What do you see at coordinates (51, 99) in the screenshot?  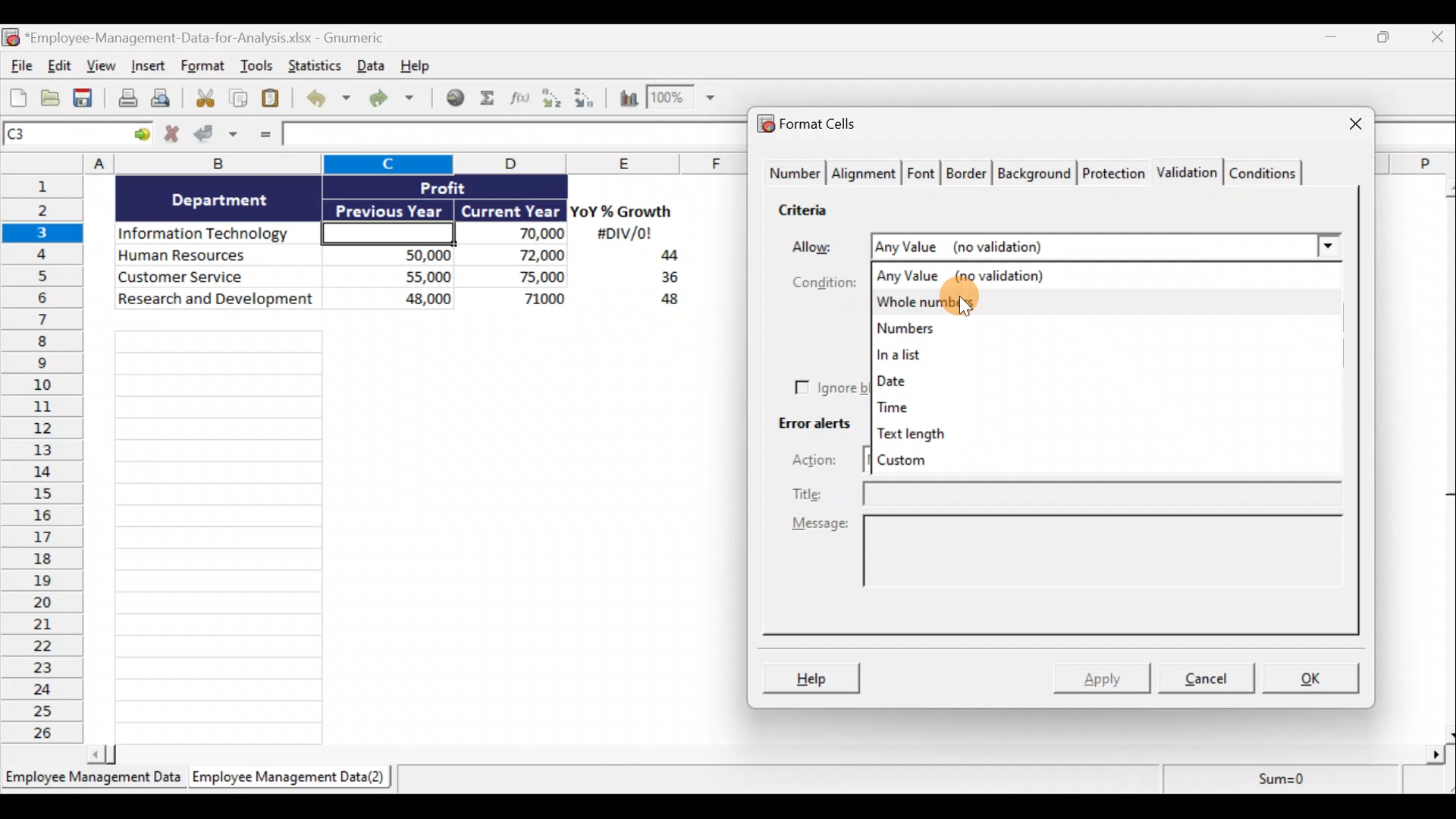 I see `Open a file` at bounding box center [51, 99].